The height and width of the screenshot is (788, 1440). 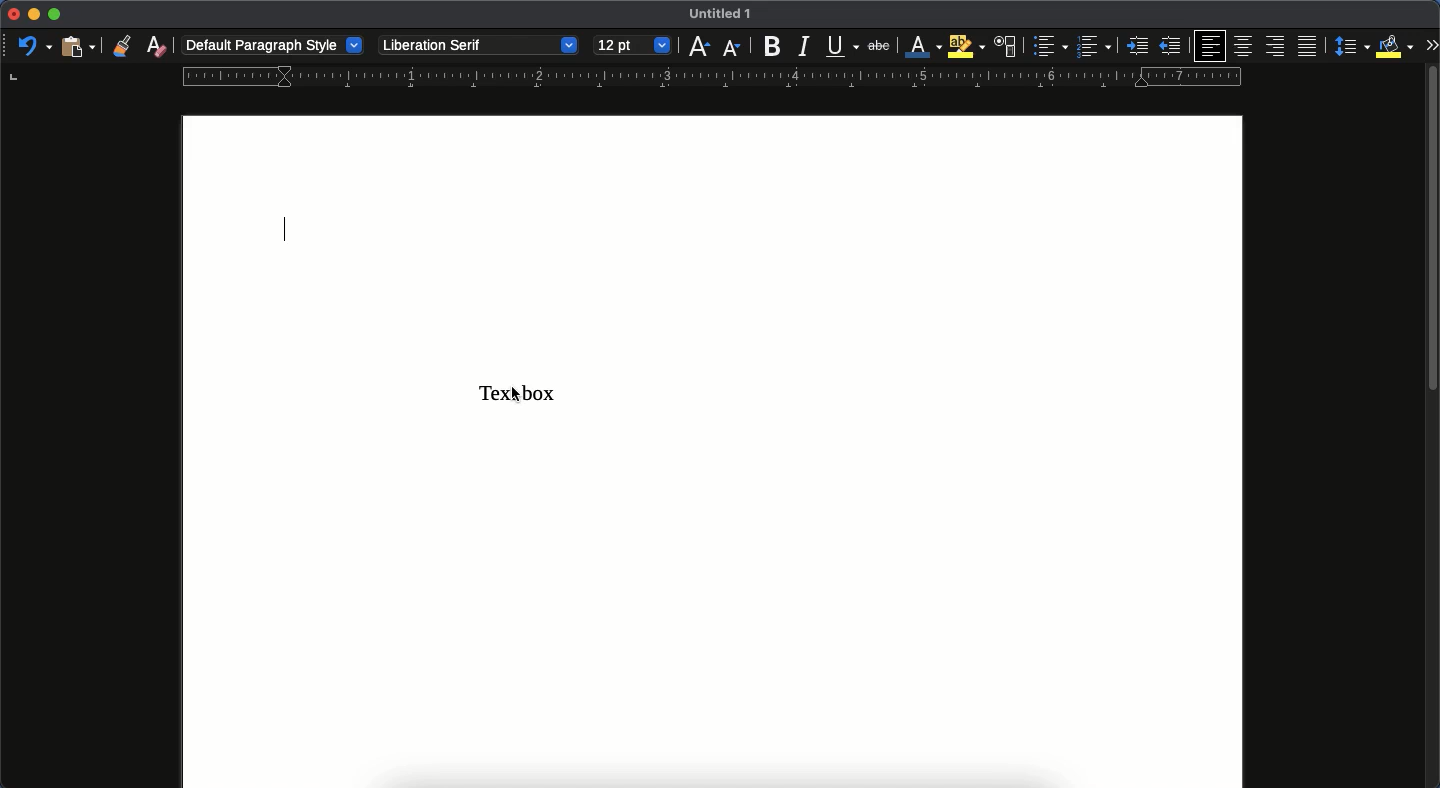 What do you see at coordinates (273, 45) in the screenshot?
I see `default paragraph style ` at bounding box center [273, 45].